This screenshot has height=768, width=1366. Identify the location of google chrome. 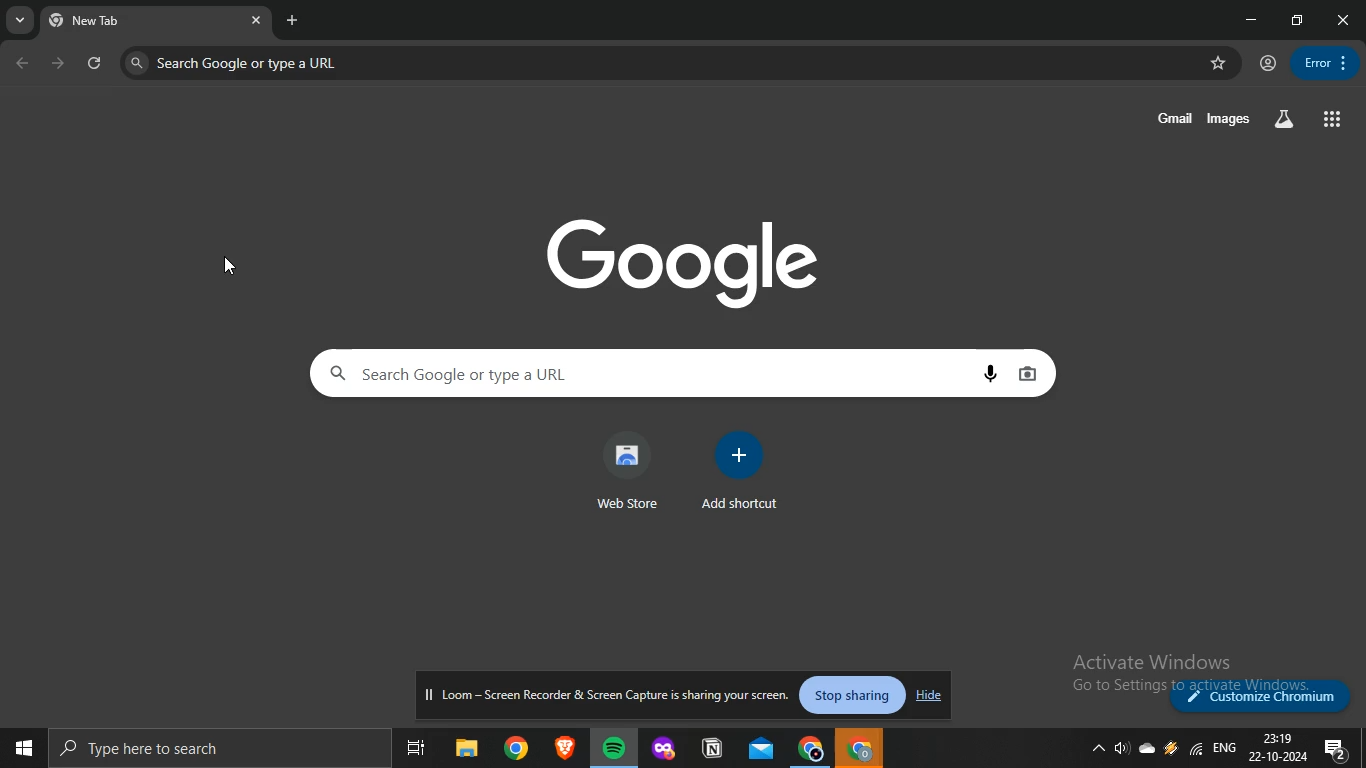
(516, 746).